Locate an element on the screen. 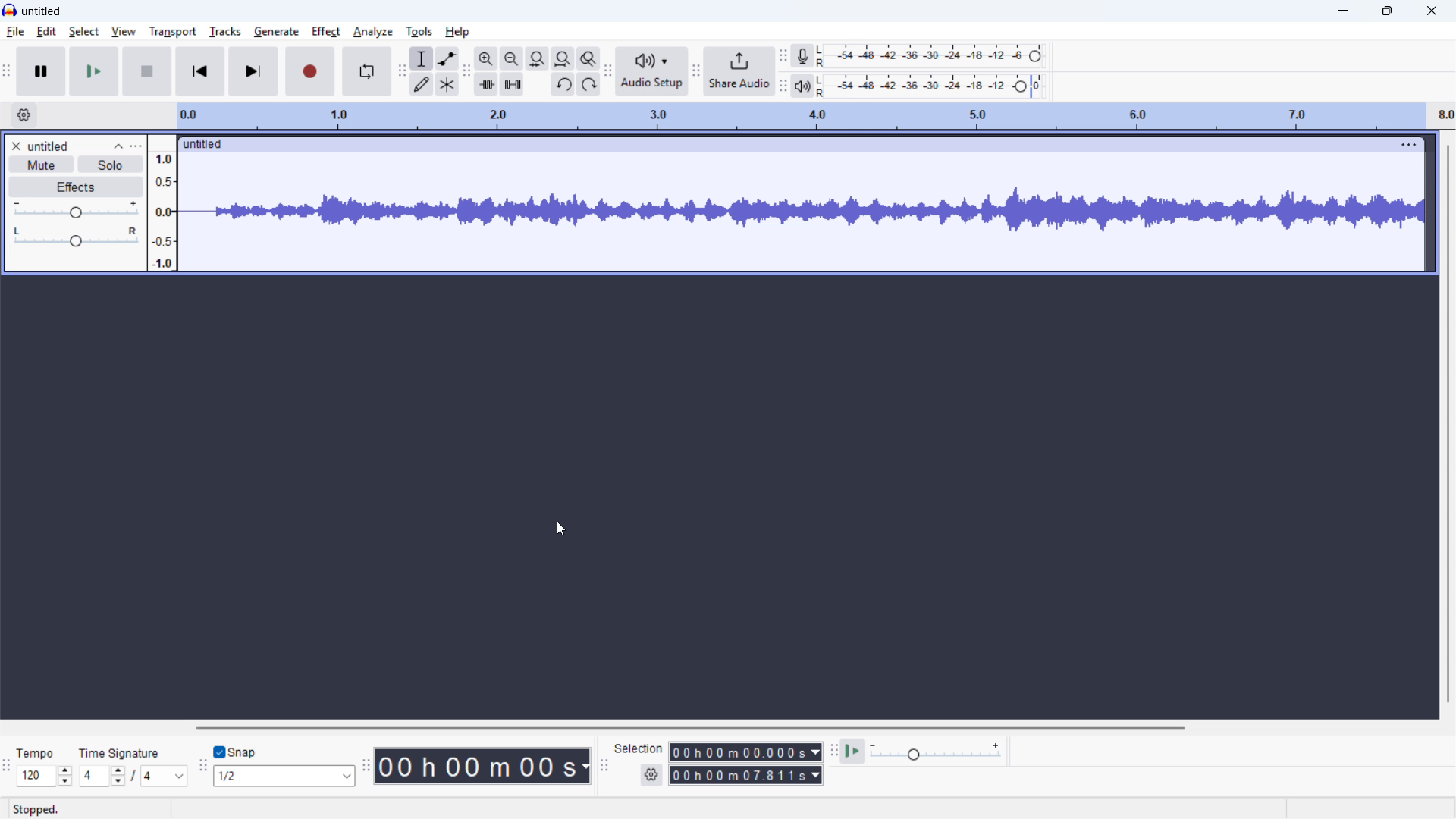 This screenshot has width=1456, height=819. toggle zoom is located at coordinates (589, 59).